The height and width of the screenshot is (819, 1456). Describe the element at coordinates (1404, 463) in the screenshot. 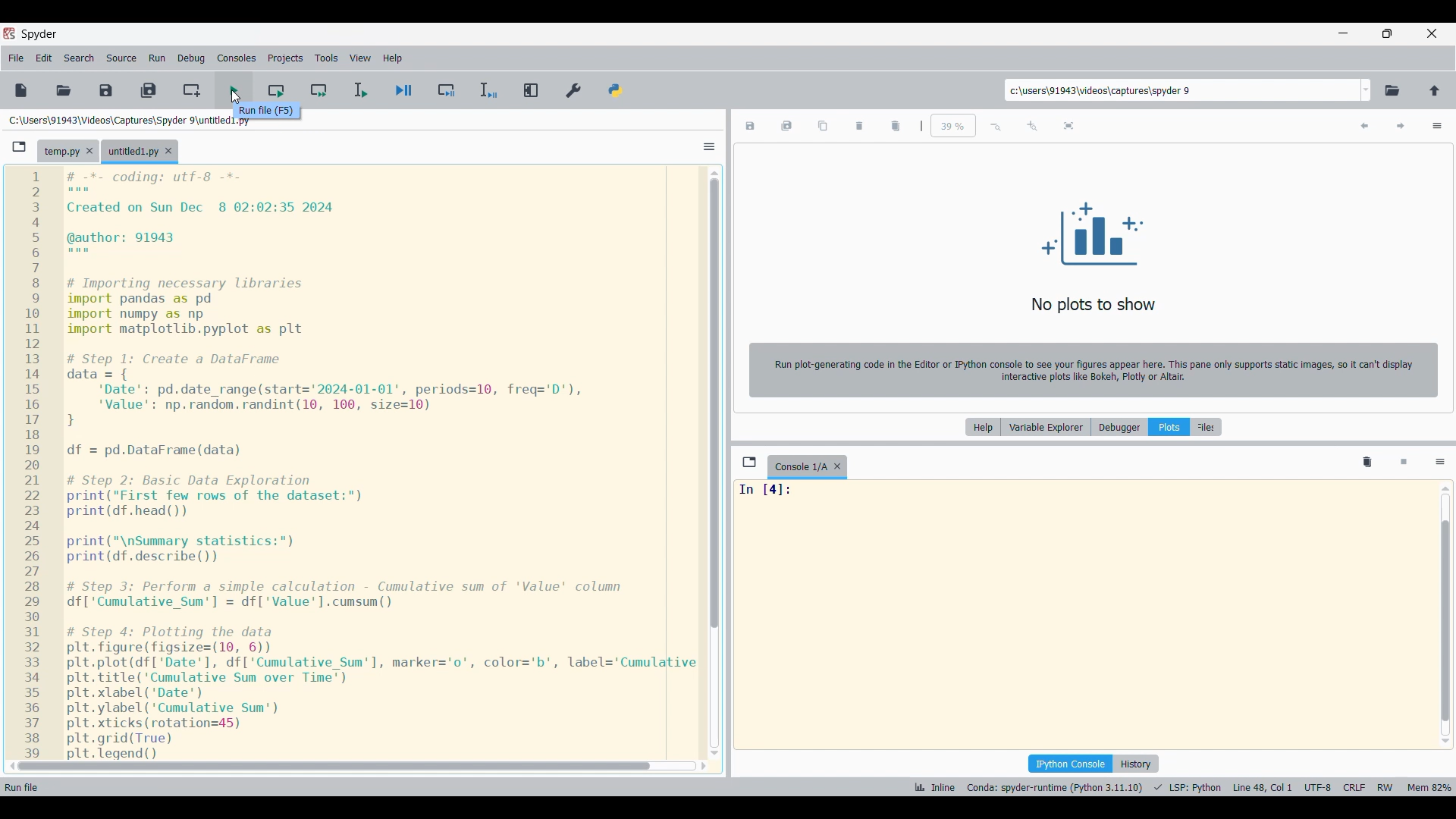

I see `Interrupt kernel` at that location.